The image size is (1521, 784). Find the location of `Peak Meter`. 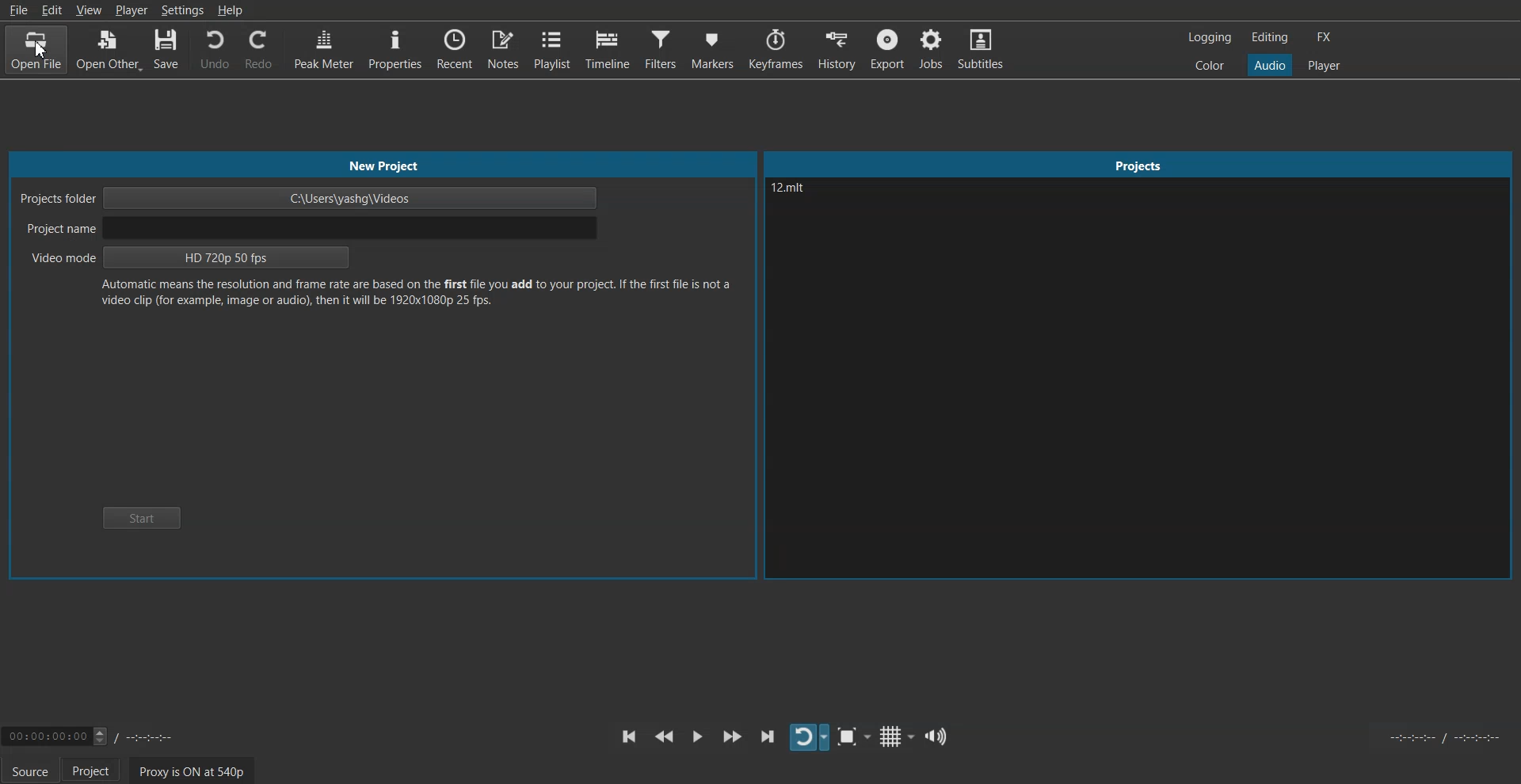

Peak Meter is located at coordinates (322, 48).